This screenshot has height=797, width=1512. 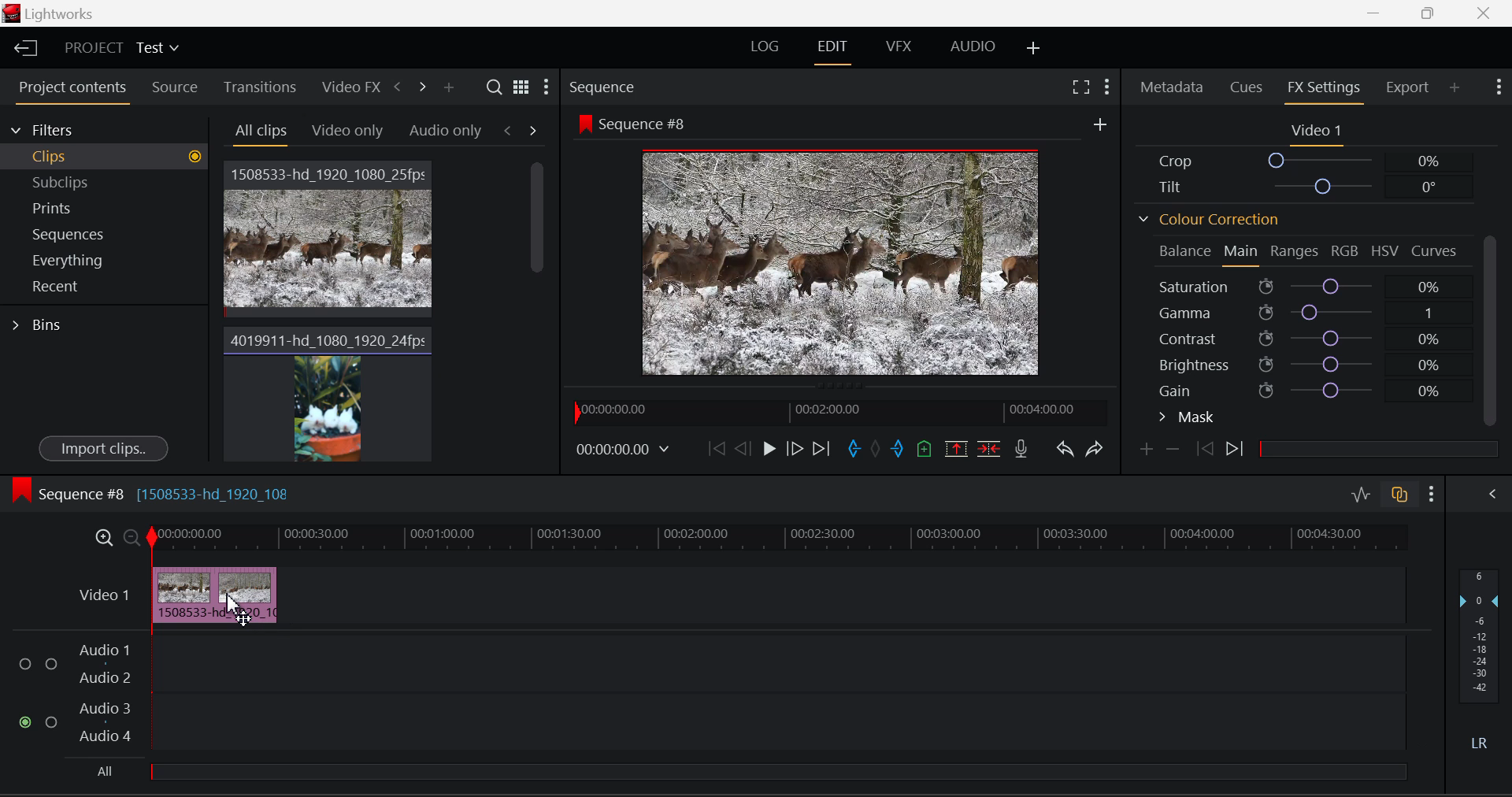 I want to click on Audio 2, so click(x=107, y=678).